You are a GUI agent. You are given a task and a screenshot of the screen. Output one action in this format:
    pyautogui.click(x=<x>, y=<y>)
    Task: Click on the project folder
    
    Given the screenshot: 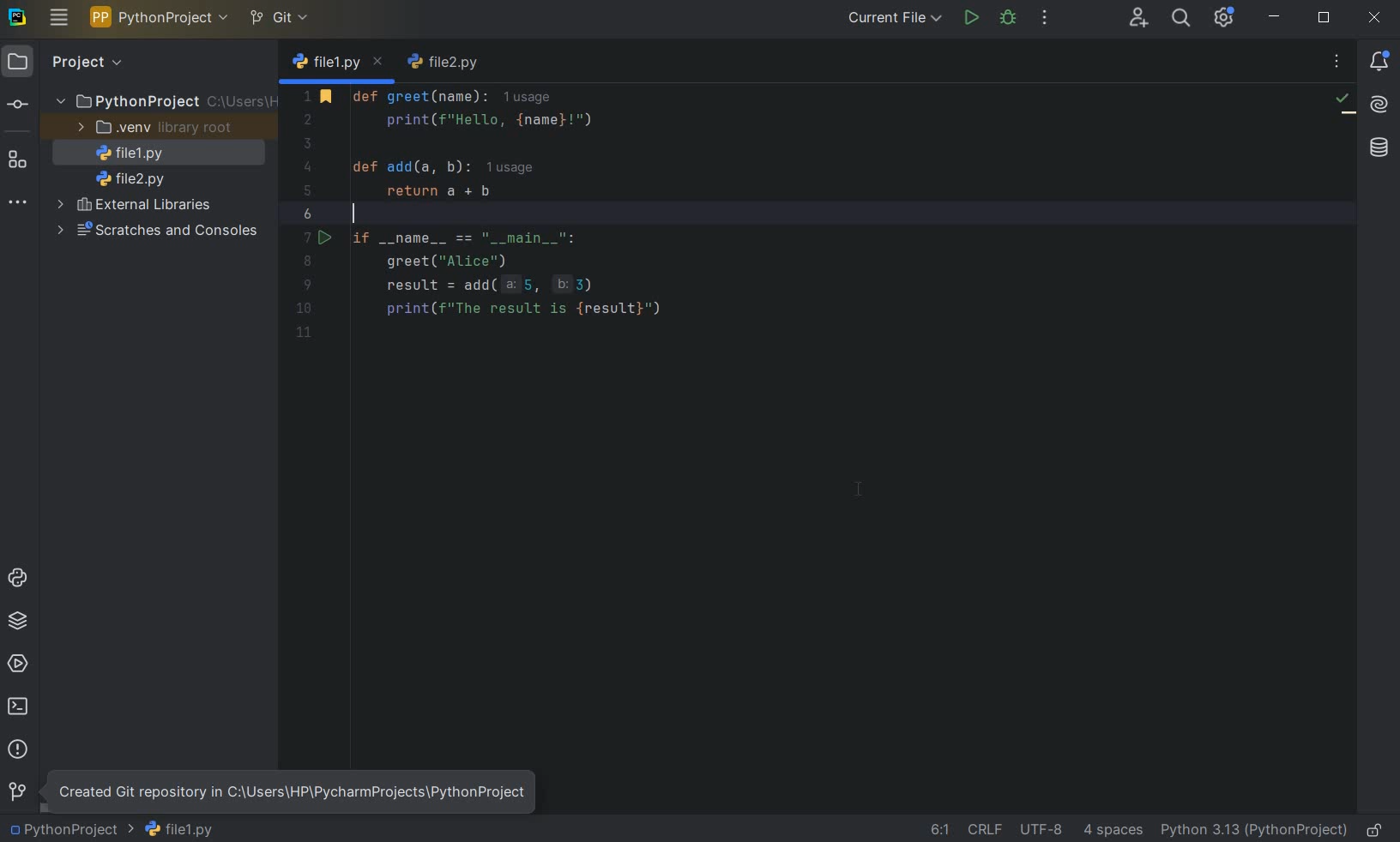 What is the action you would take?
    pyautogui.click(x=164, y=101)
    